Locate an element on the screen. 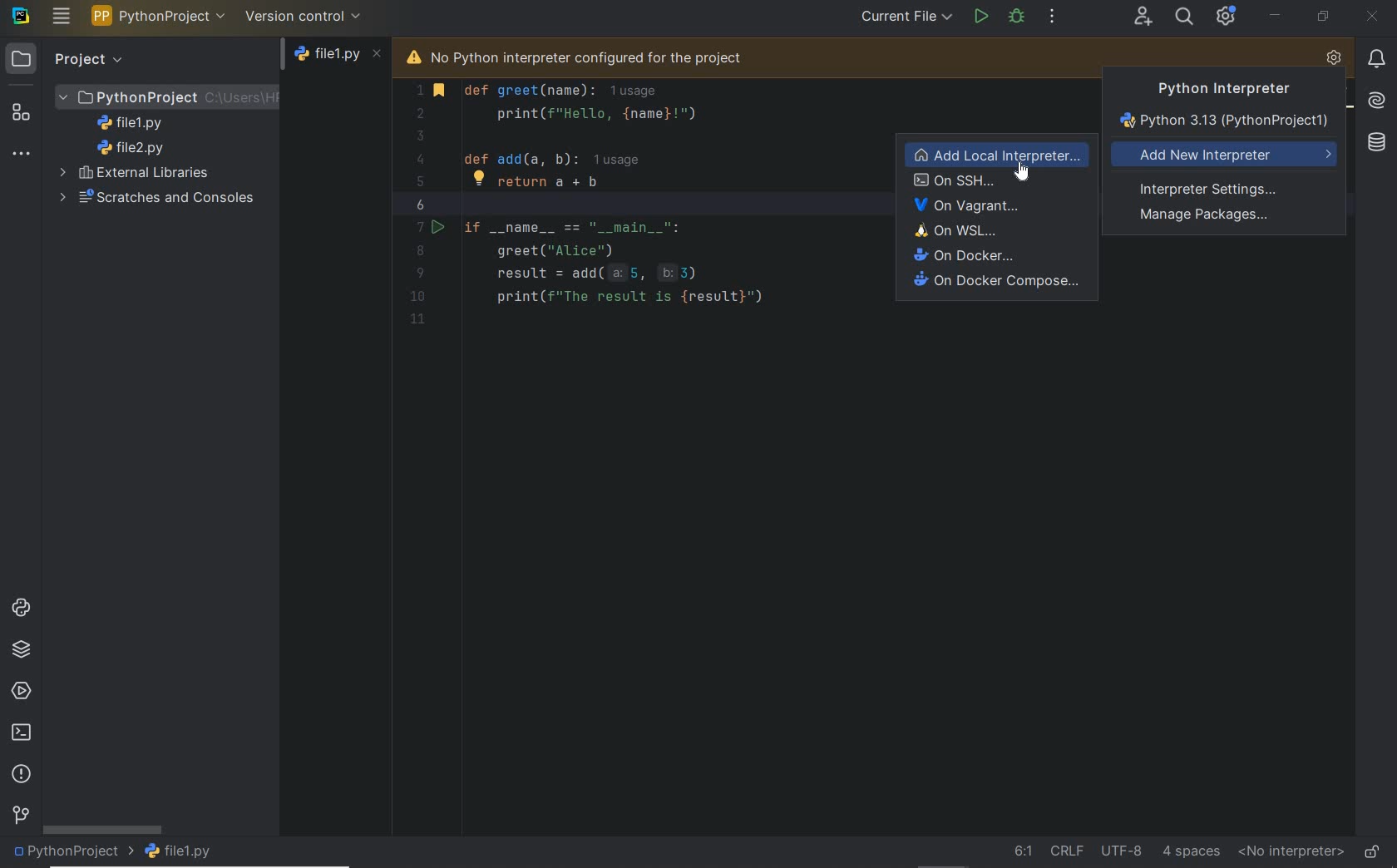  problems is located at coordinates (23, 775).